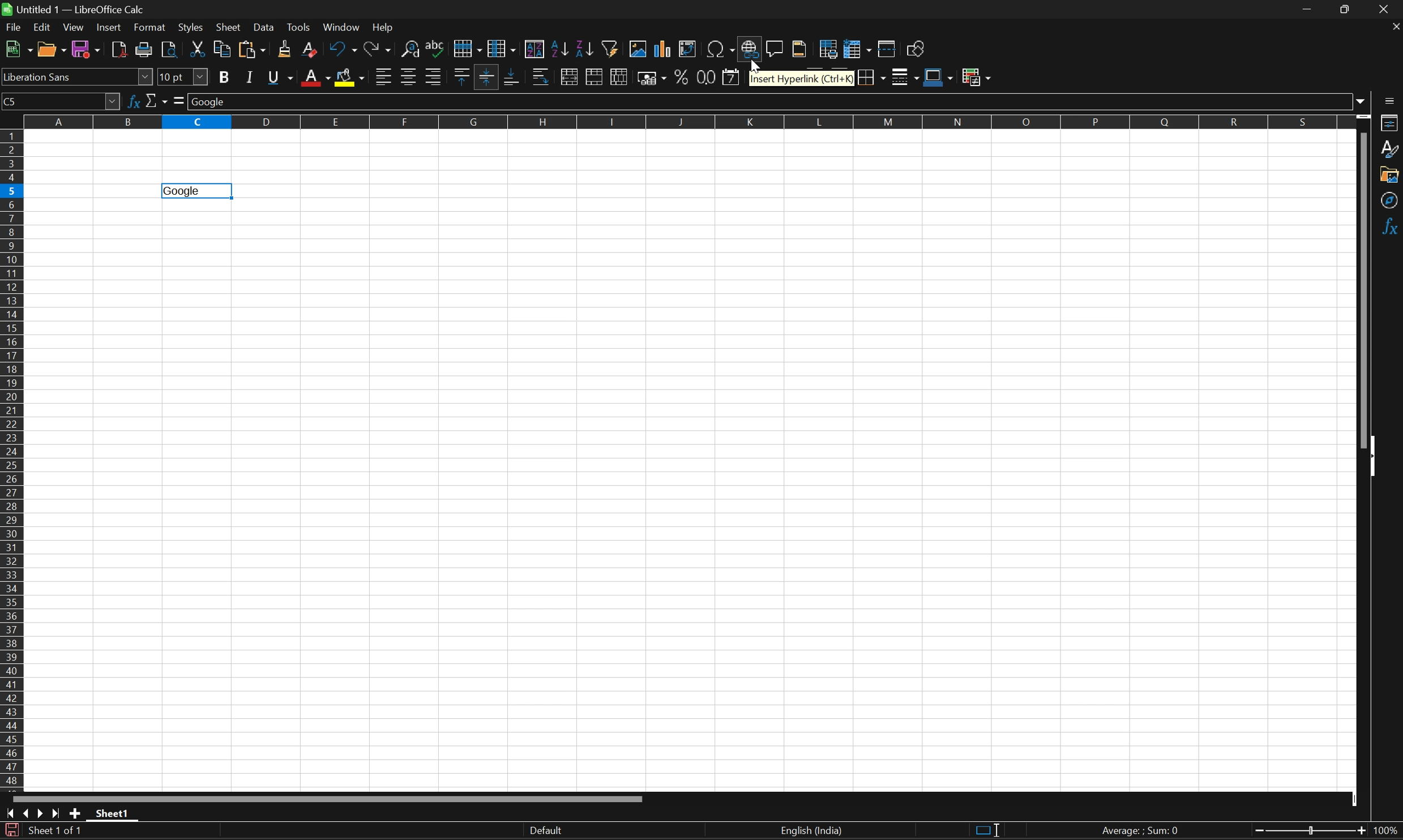 The width and height of the screenshot is (1403, 840). I want to click on Styles, so click(1391, 149).